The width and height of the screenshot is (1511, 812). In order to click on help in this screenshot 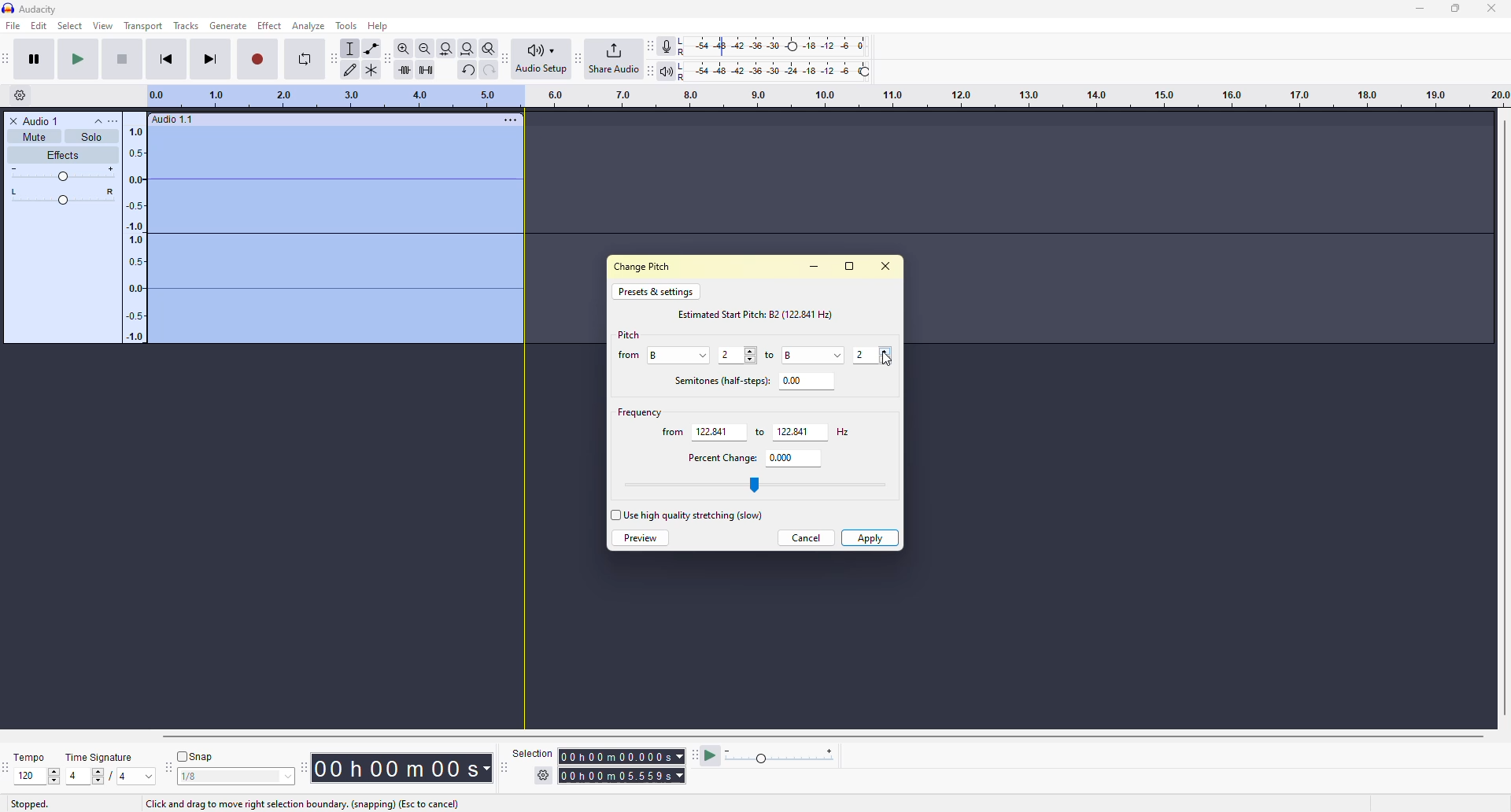, I will do `click(382, 27)`.